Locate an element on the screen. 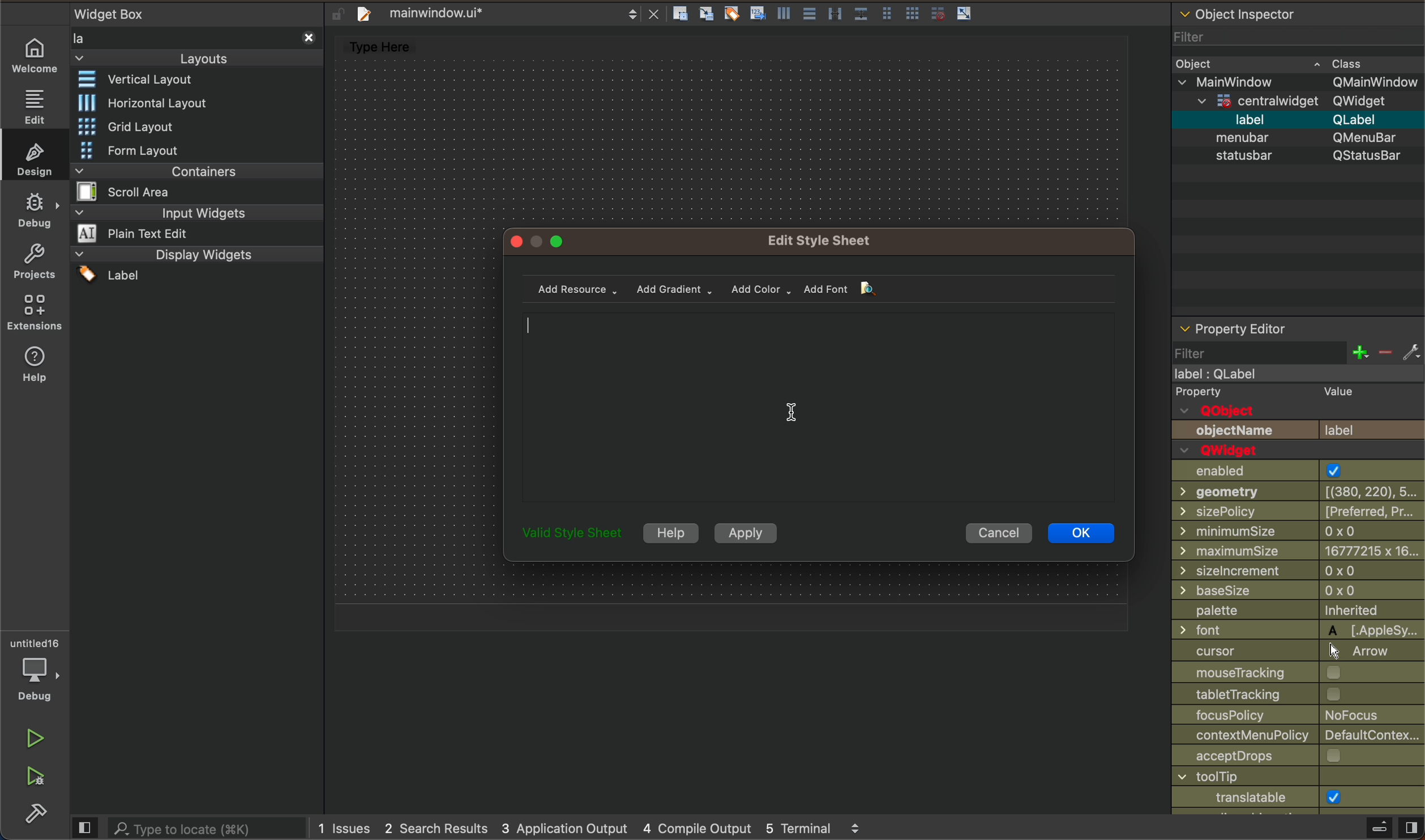 Image resolution: width=1425 pixels, height=840 pixels. help is located at coordinates (670, 532).